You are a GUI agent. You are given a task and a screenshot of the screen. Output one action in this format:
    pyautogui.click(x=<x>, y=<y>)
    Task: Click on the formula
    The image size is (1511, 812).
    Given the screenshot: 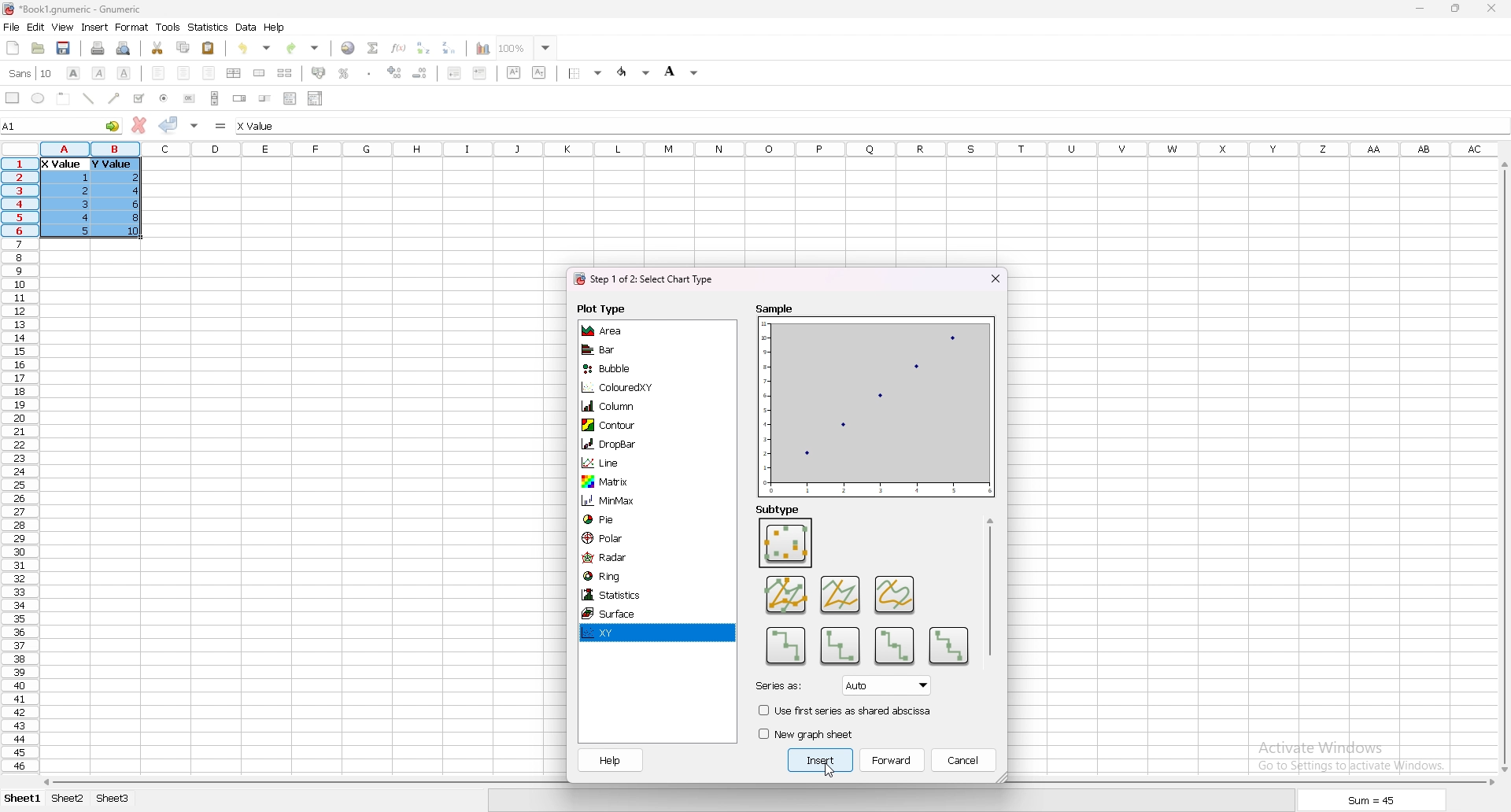 What is the action you would take?
    pyautogui.click(x=222, y=125)
    